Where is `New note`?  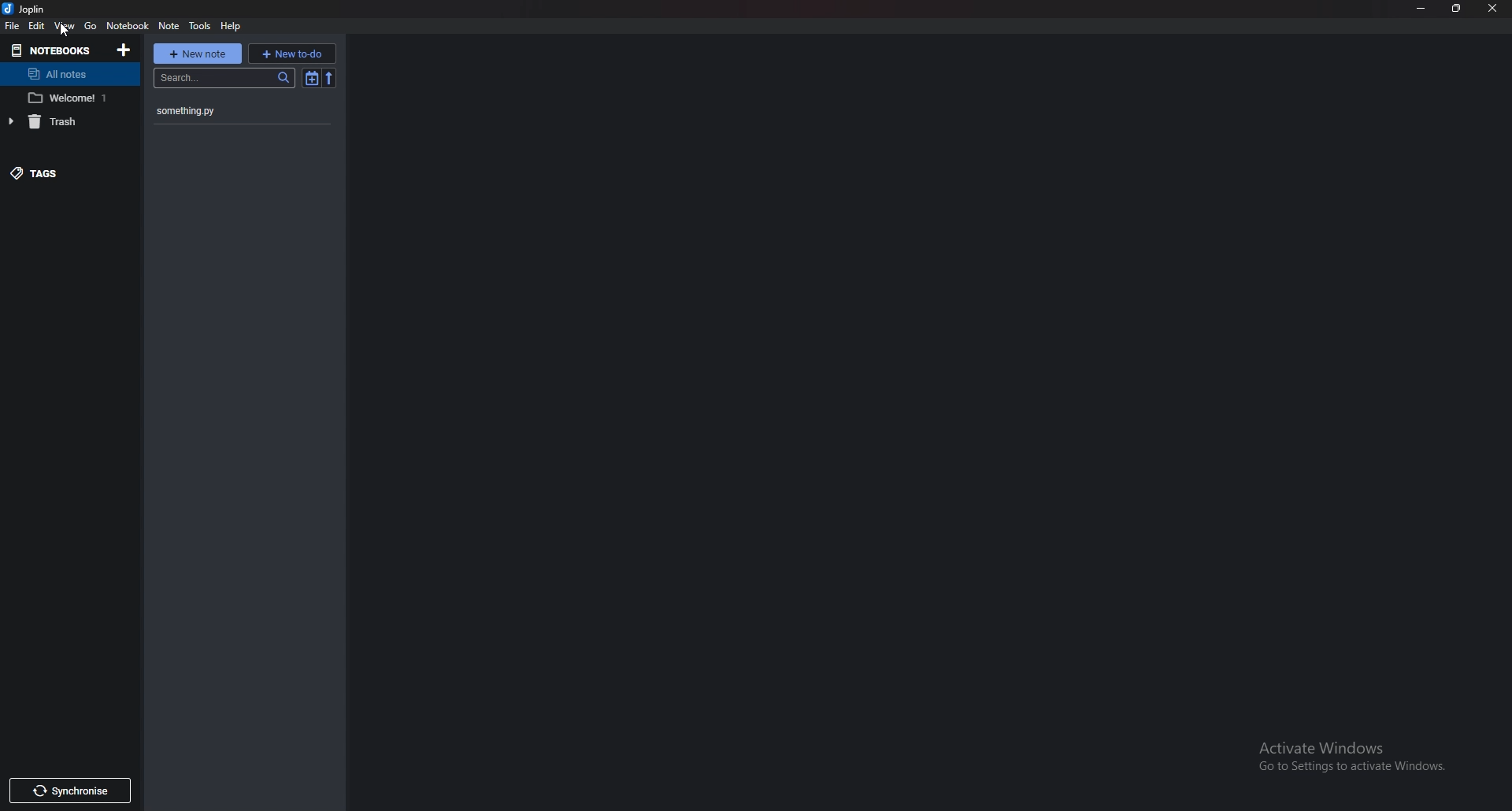 New note is located at coordinates (198, 54).